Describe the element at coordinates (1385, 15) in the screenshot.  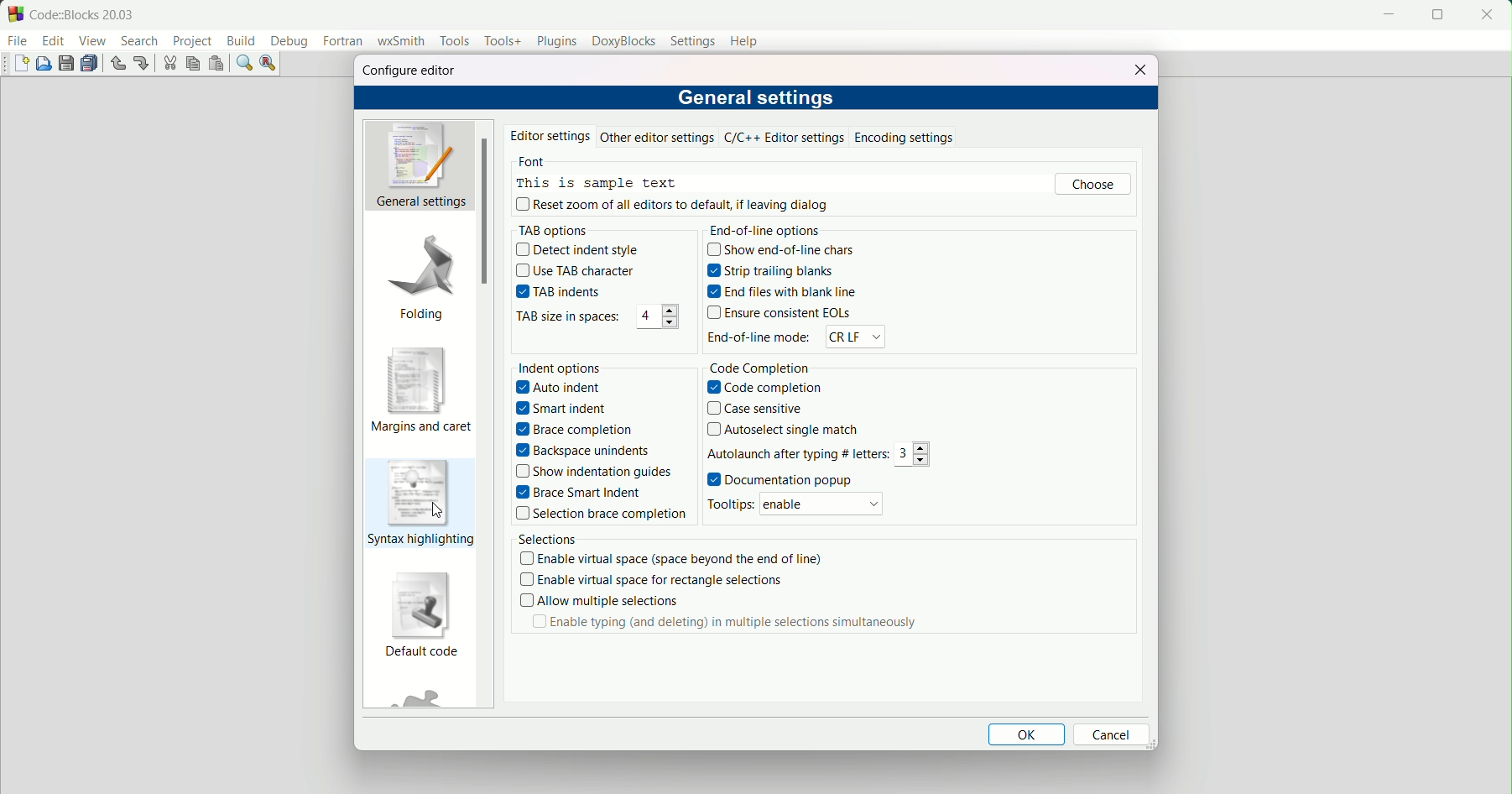
I see `minimize` at that location.